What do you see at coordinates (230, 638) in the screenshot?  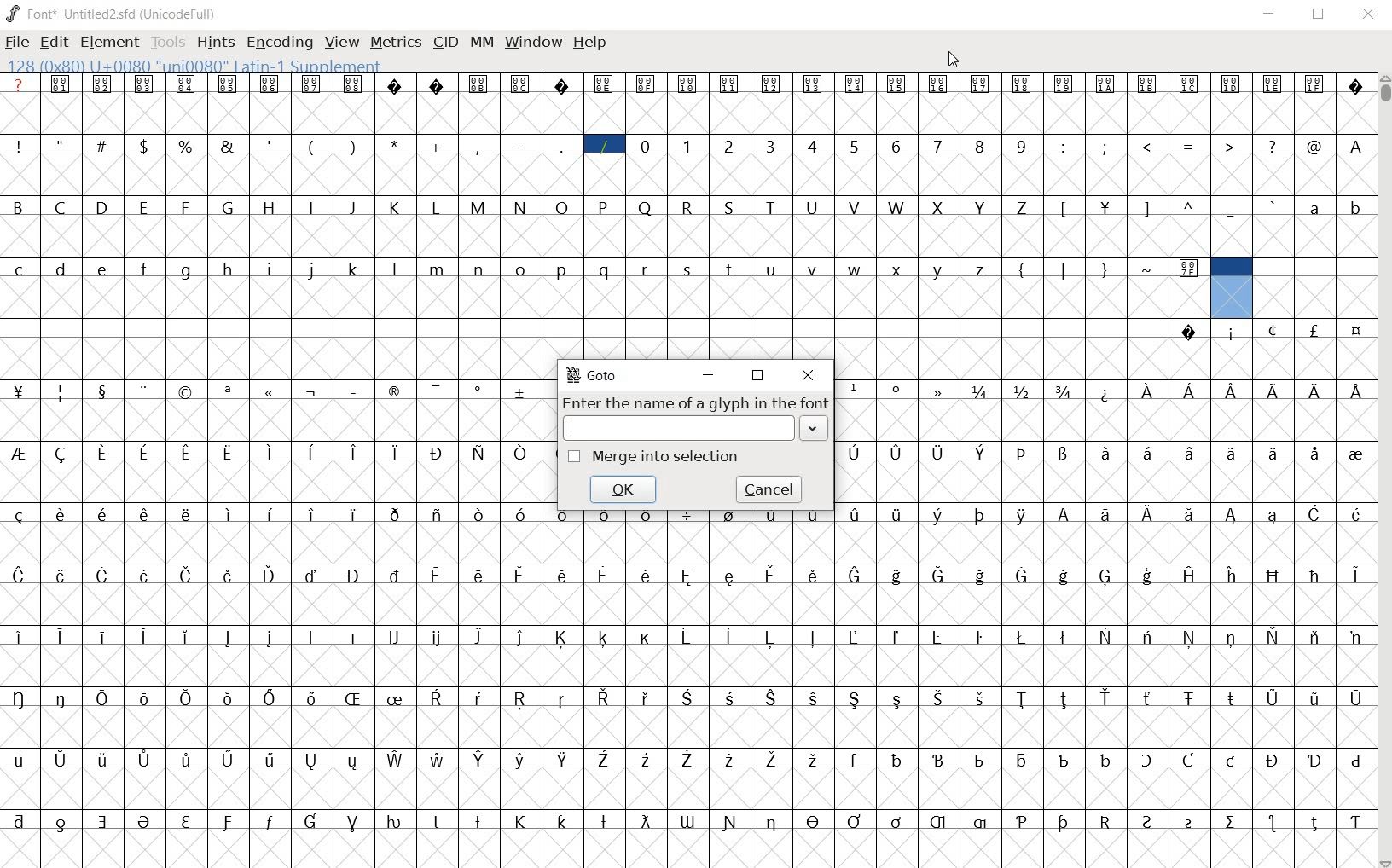 I see `Symbol` at bounding box center [230, 638].